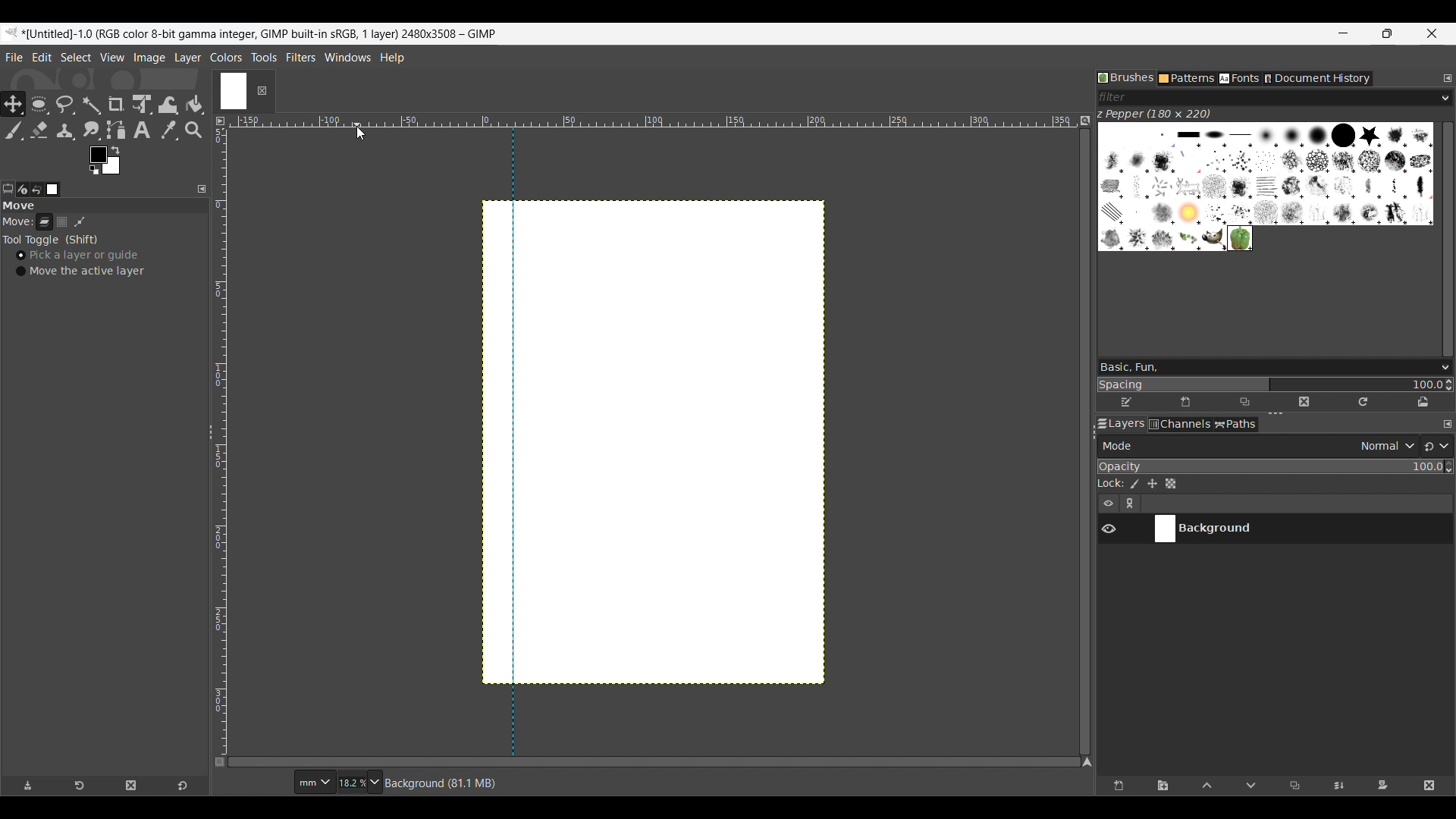  I want to click on Free select tool, so click(64, 104).